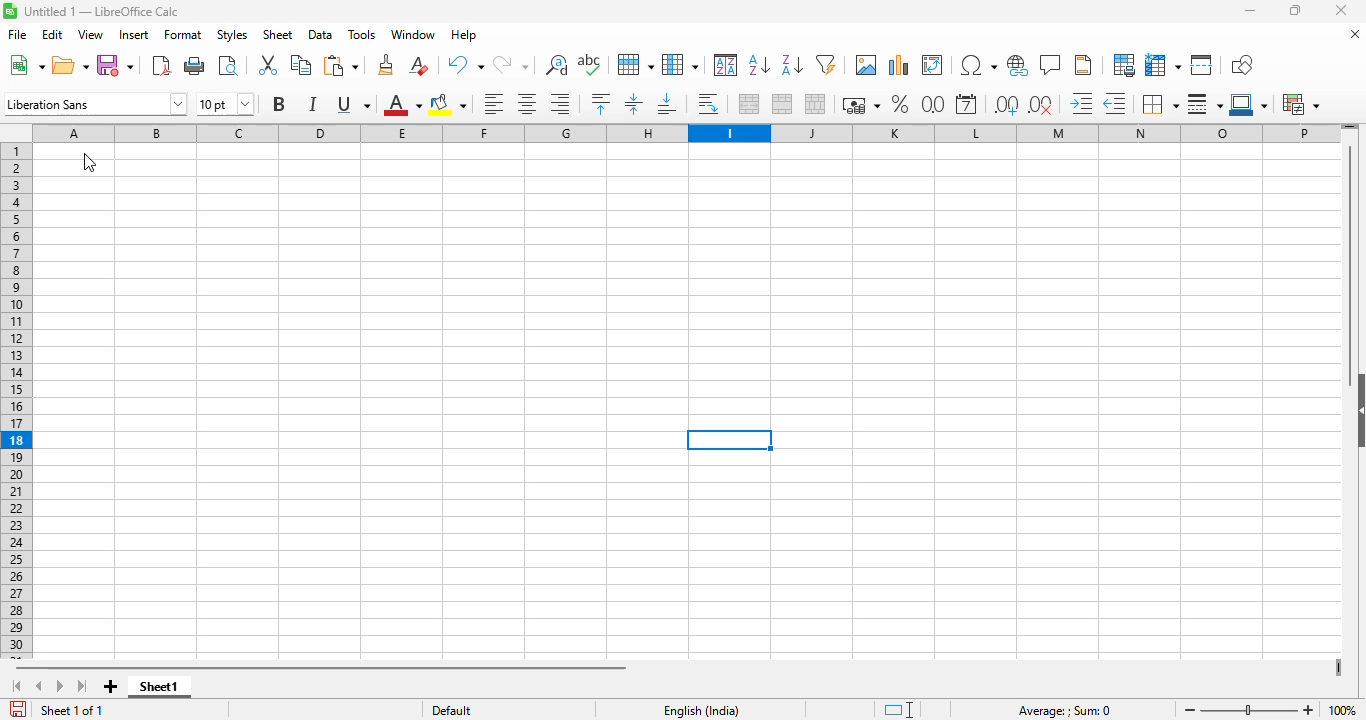 Image resolution: width=1366 pixels, height=720 pixels. What do you see at coordinates (979, 65) in the screenshot?
I see `insert special characters` at bounding box center [979, 65].